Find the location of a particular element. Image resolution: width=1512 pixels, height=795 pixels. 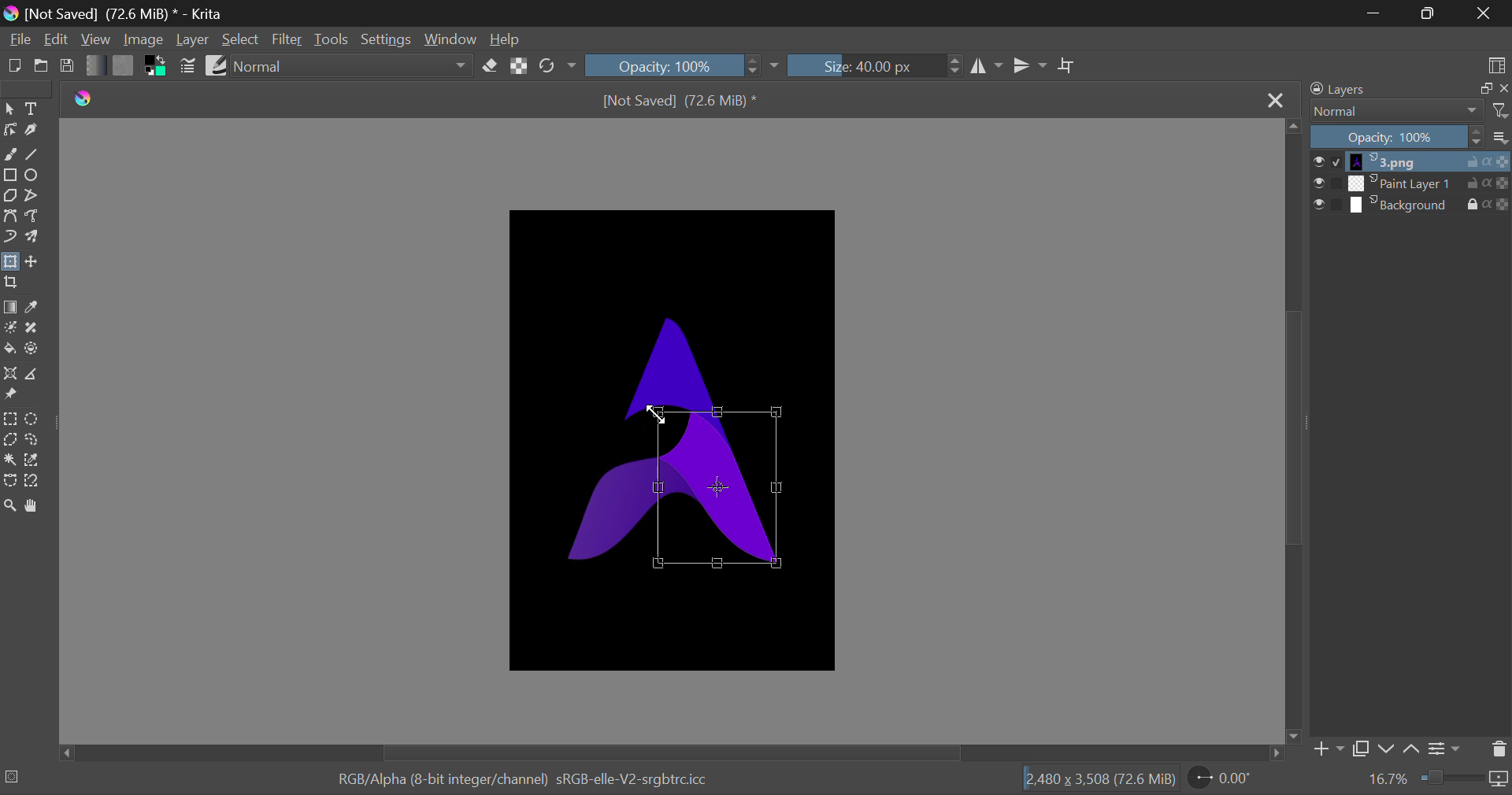

Zoom is located at coordinates (9, 502).